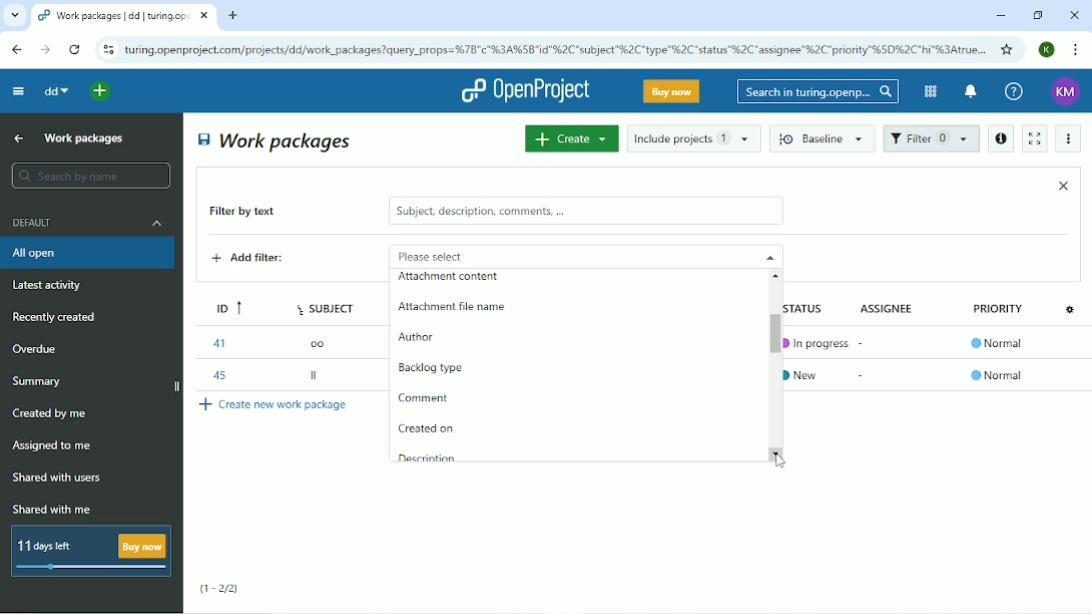  I want to click on ll, so click(316, 378).